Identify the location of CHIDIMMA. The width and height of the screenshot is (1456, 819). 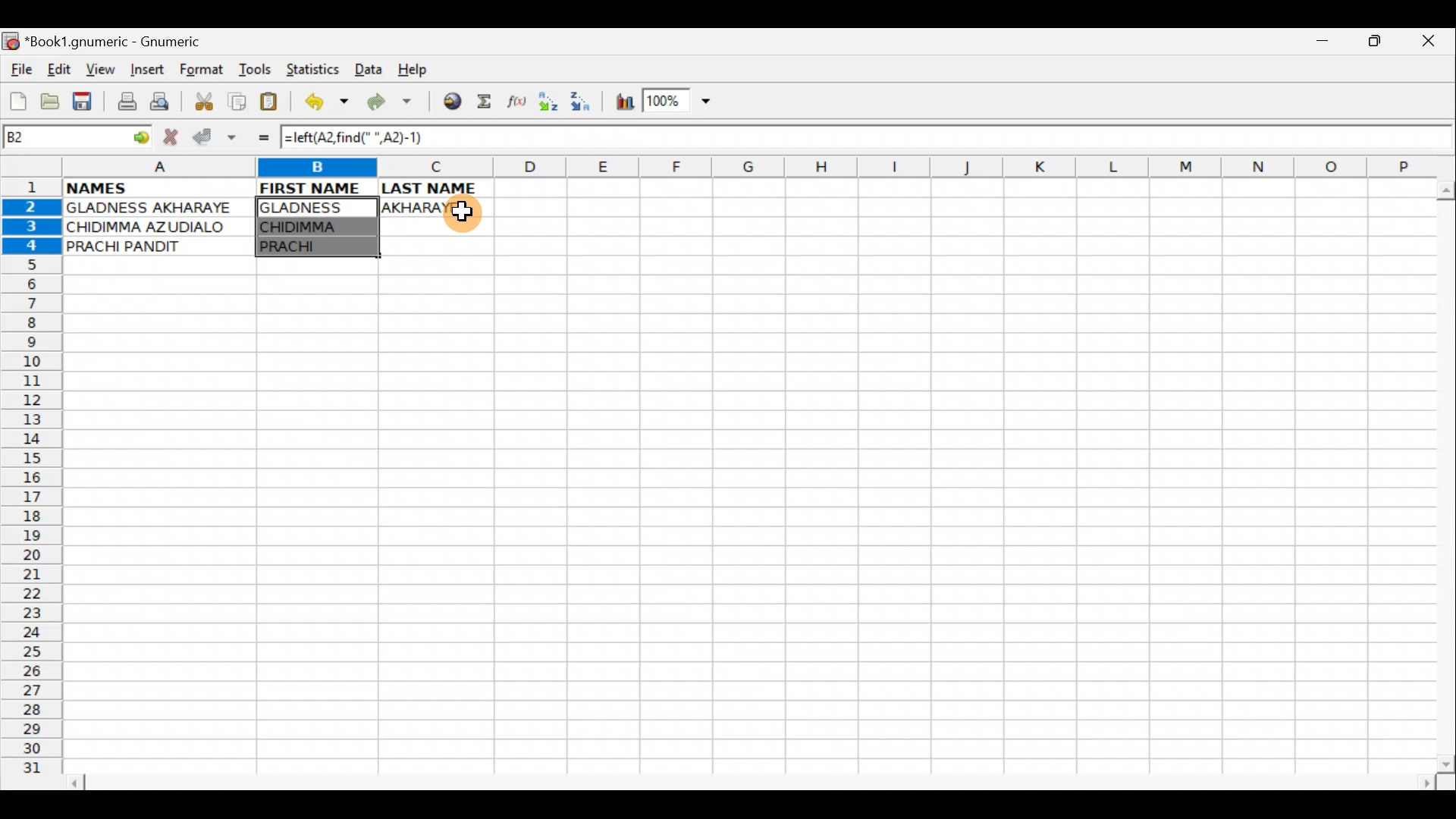
(317, 225).